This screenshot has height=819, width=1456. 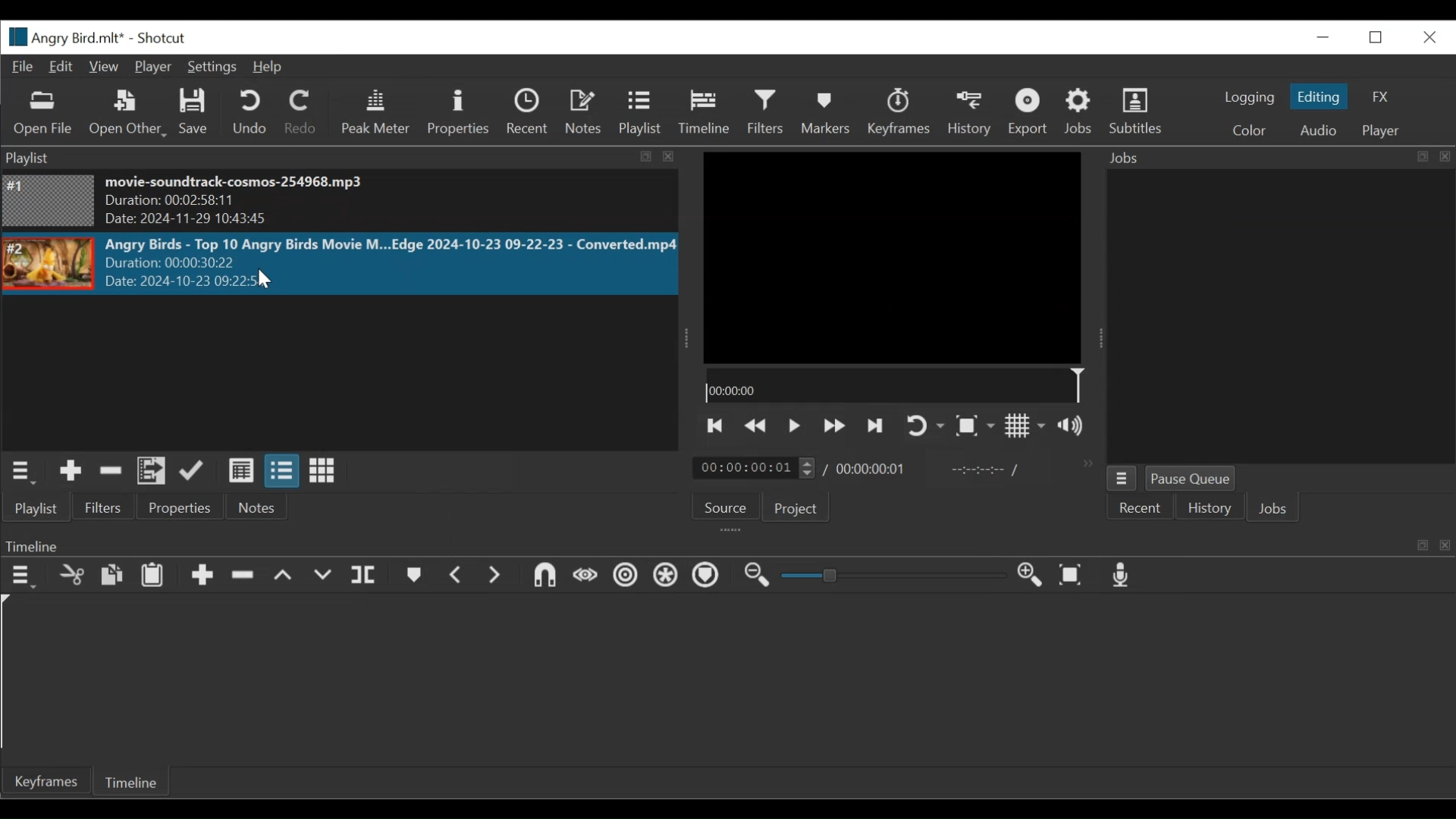 What do you see at coordinates (266, 67) in the screenshot?
I see `Help` at bounding box center [266, 67].